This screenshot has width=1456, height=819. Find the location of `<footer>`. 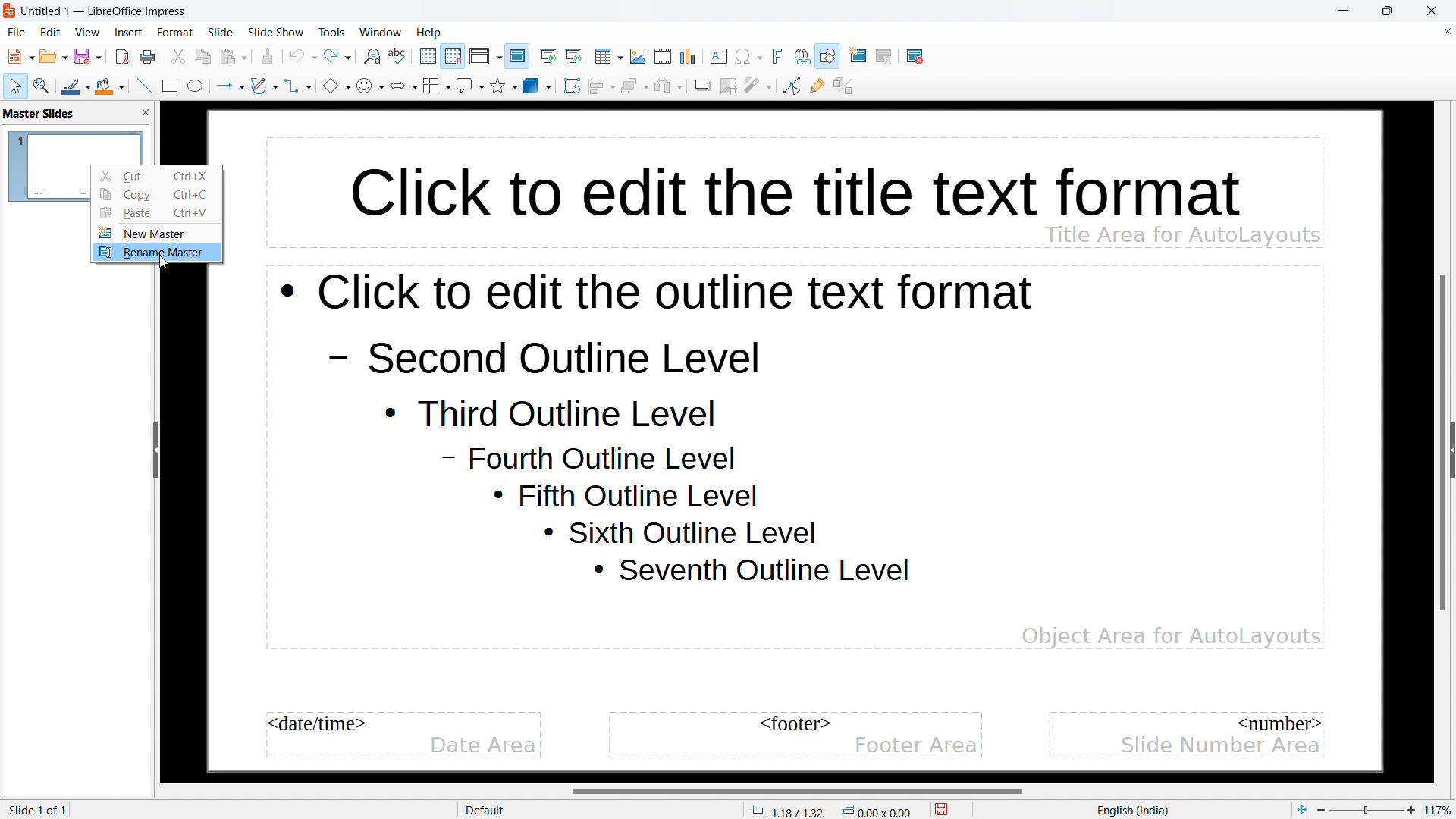

<footer> is located at coordinates (790, 725).